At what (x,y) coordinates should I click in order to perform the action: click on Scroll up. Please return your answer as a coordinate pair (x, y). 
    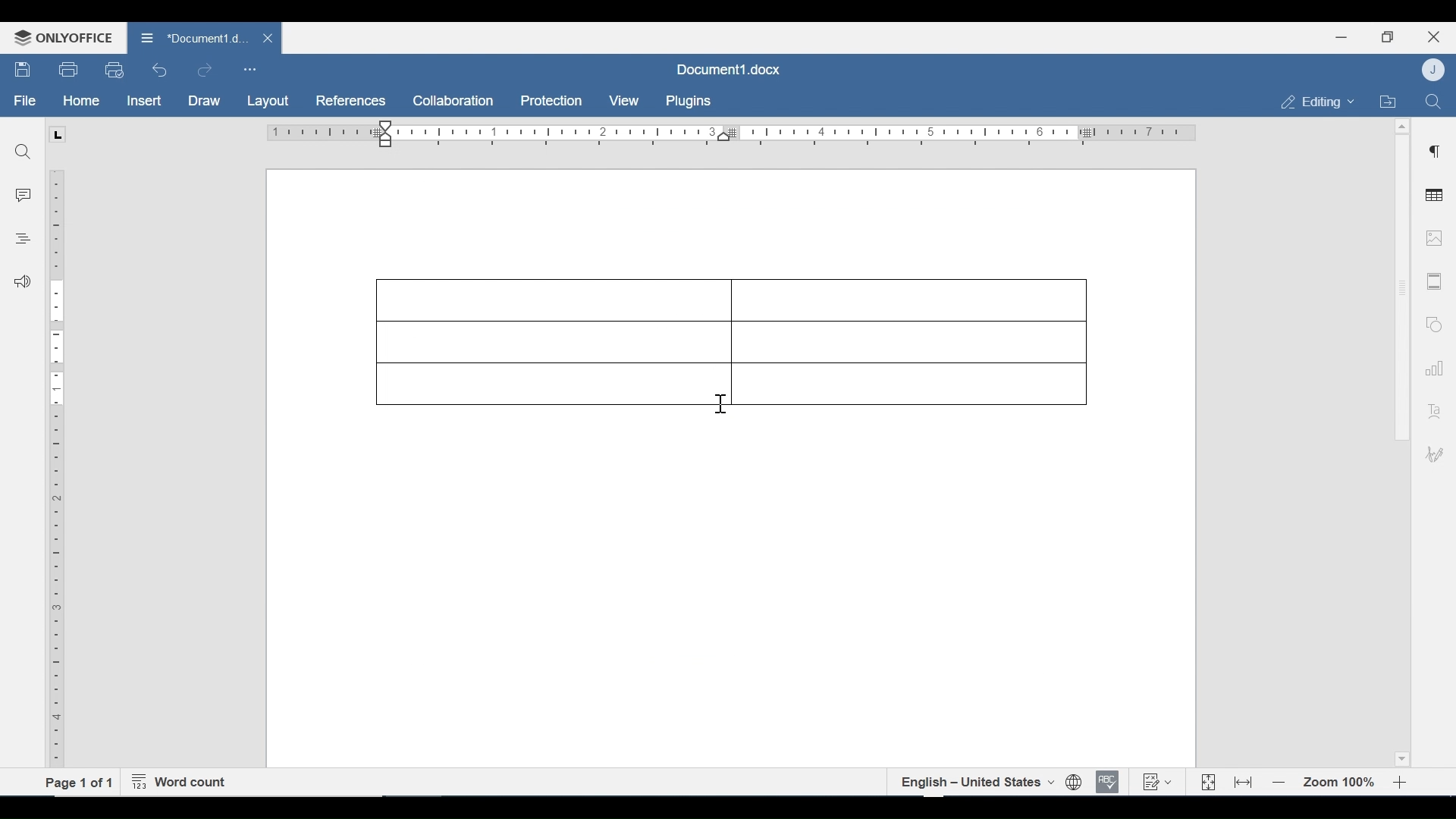
    Looking at the image, I should click on (1401, 127).